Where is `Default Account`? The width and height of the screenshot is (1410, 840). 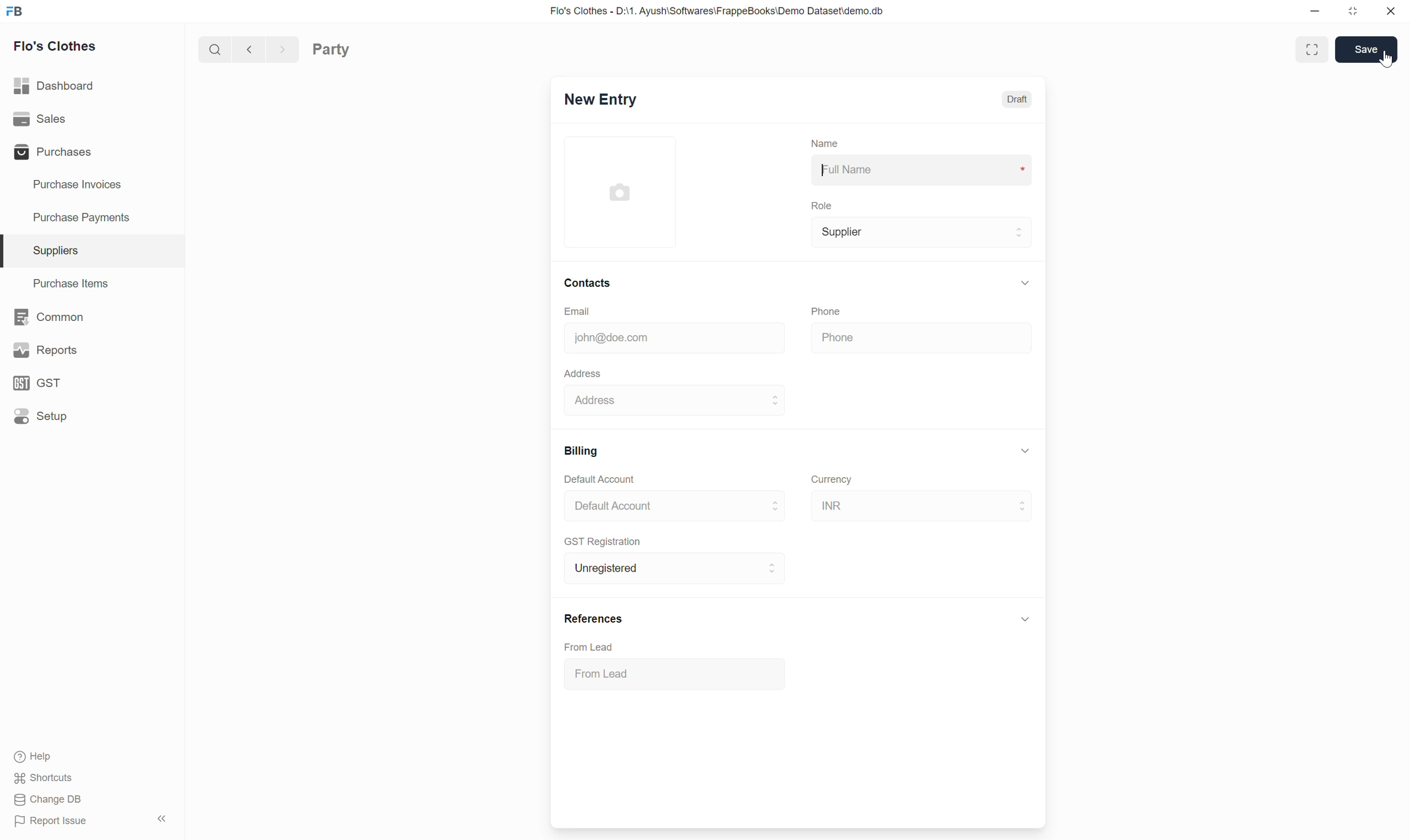
Default Account is located at coordinates (676, 506).